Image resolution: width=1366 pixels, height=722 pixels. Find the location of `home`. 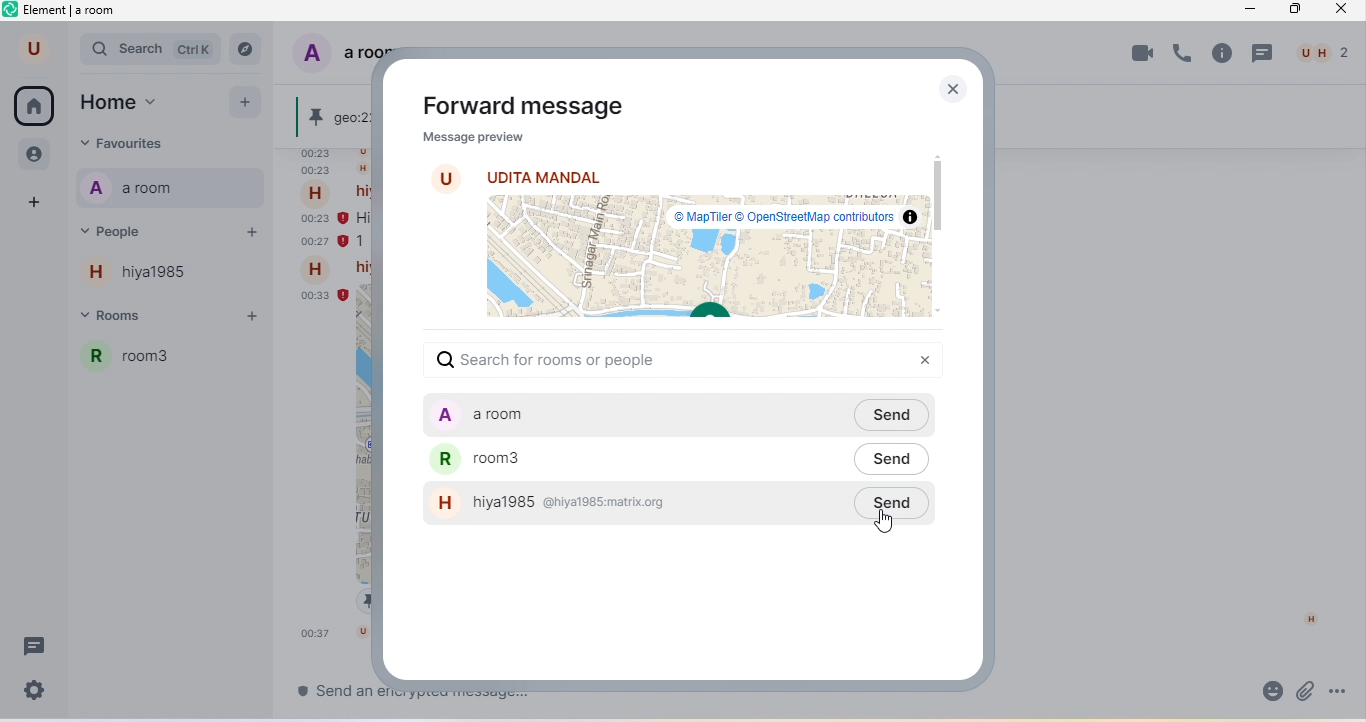

home is located at coordinates (36, 107).